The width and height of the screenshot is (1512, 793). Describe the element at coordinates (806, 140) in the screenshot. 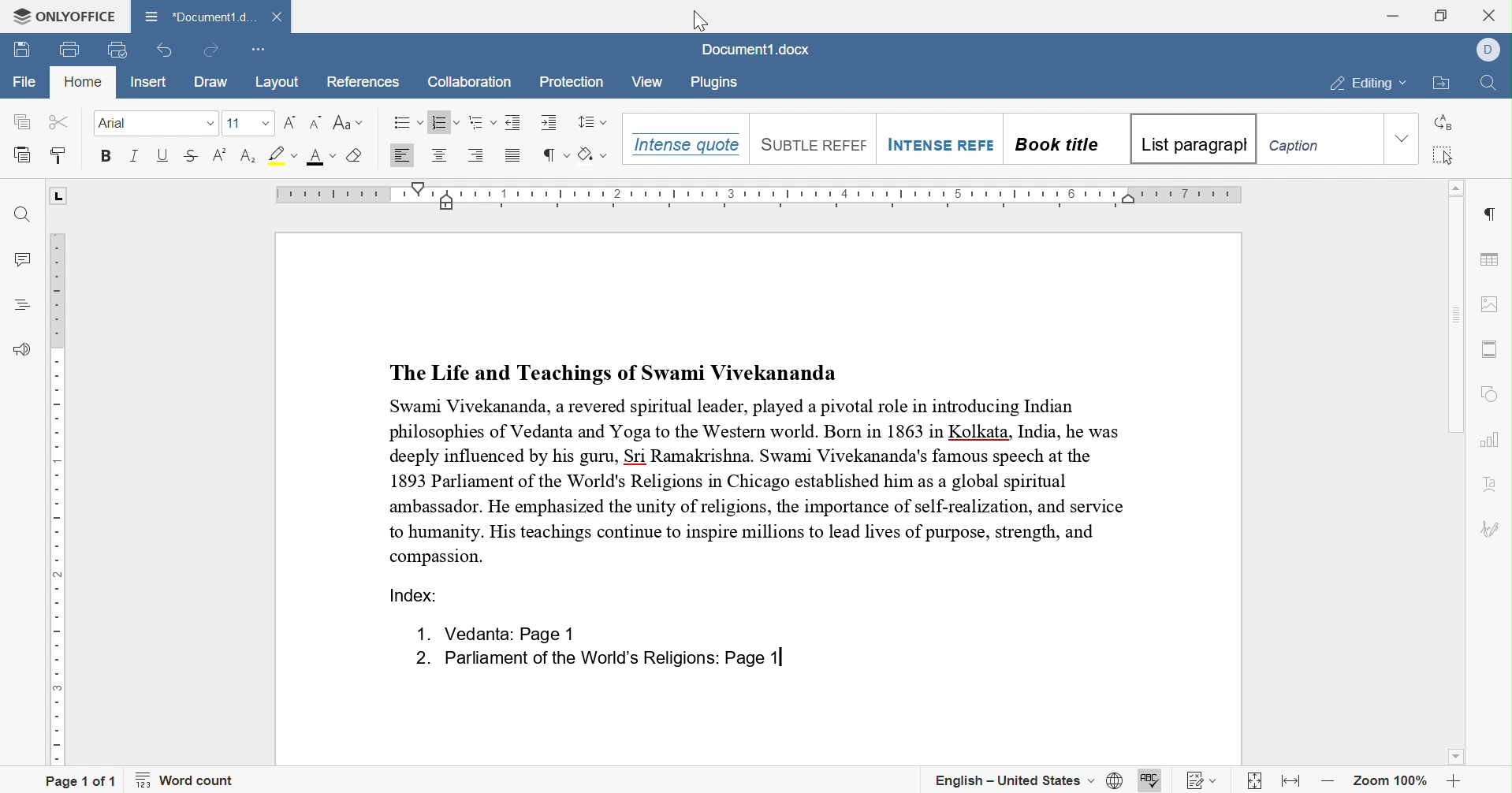

I see `subtle refef` at that location.